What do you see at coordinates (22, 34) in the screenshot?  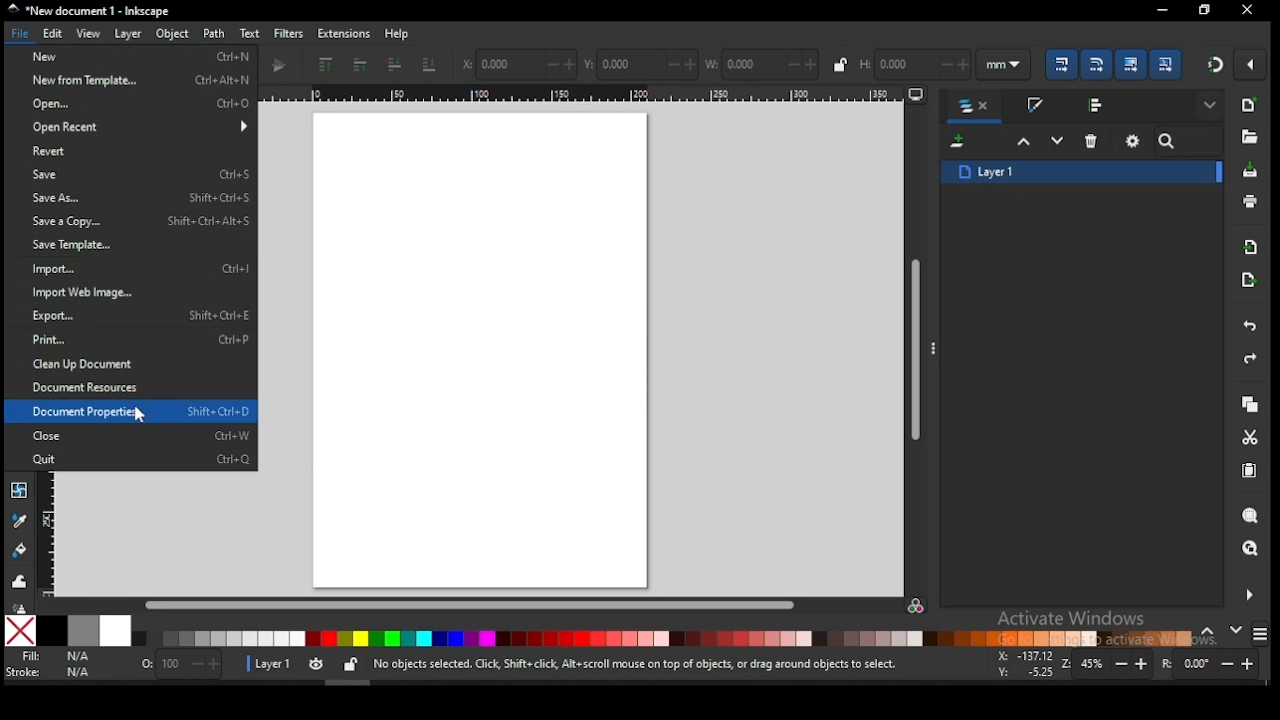 I see `file` at bounding box center [22, 34].